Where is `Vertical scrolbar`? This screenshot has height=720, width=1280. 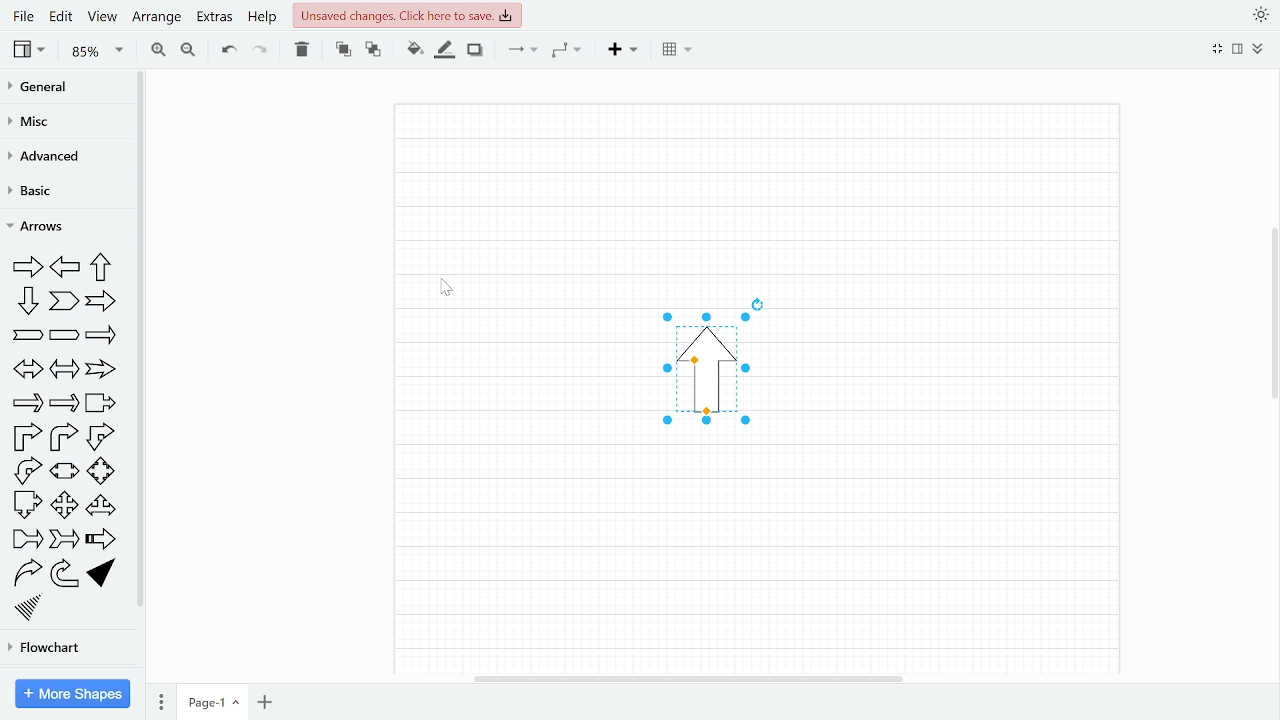
Vertical scrolbar is located at coordinates (1272, 320).